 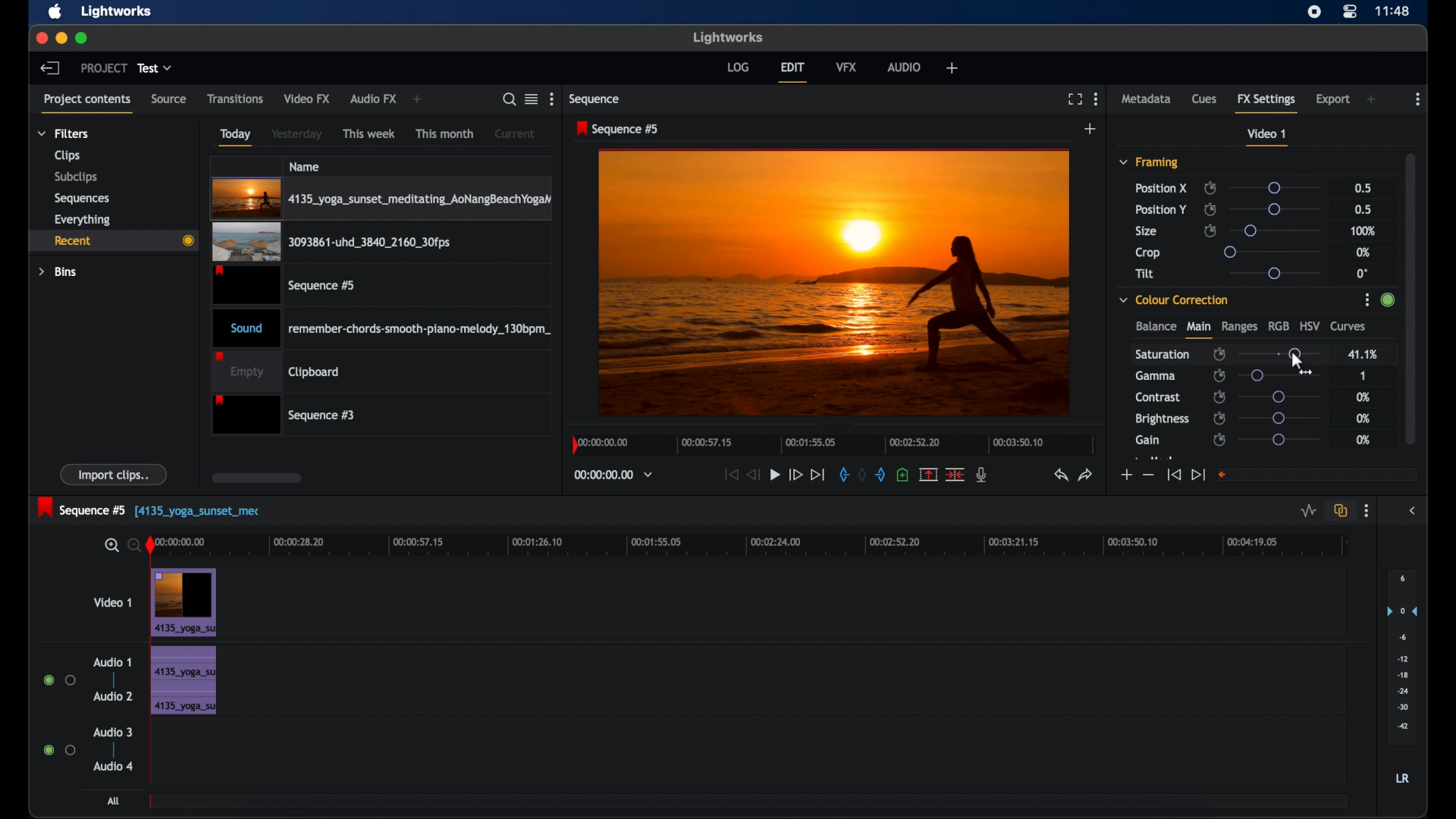 What do you see at coordinates (1219, 418) in the screenshot?
I see `enable/disable keyframes` at bounding box center [1219, 418].